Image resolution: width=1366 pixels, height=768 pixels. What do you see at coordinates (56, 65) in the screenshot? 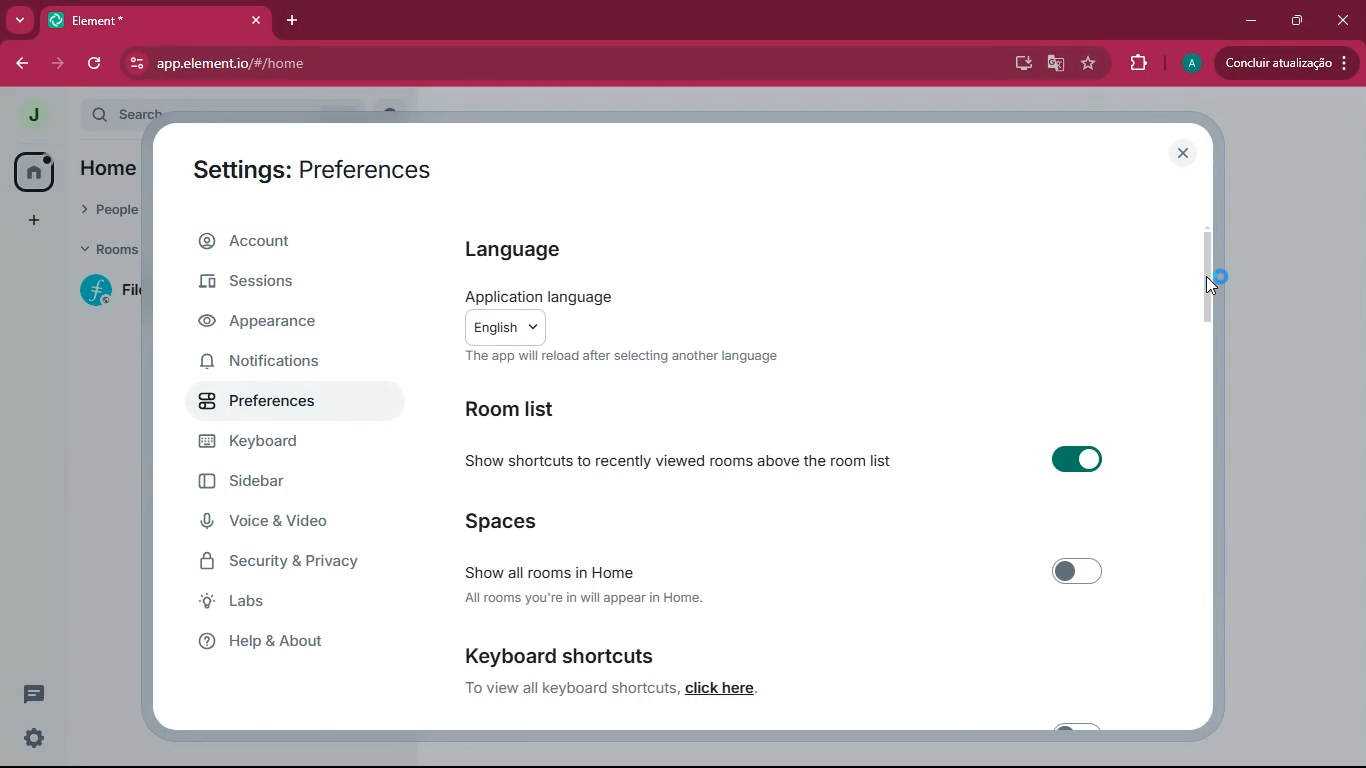
I see `forward` at bounding box center [56, 65].